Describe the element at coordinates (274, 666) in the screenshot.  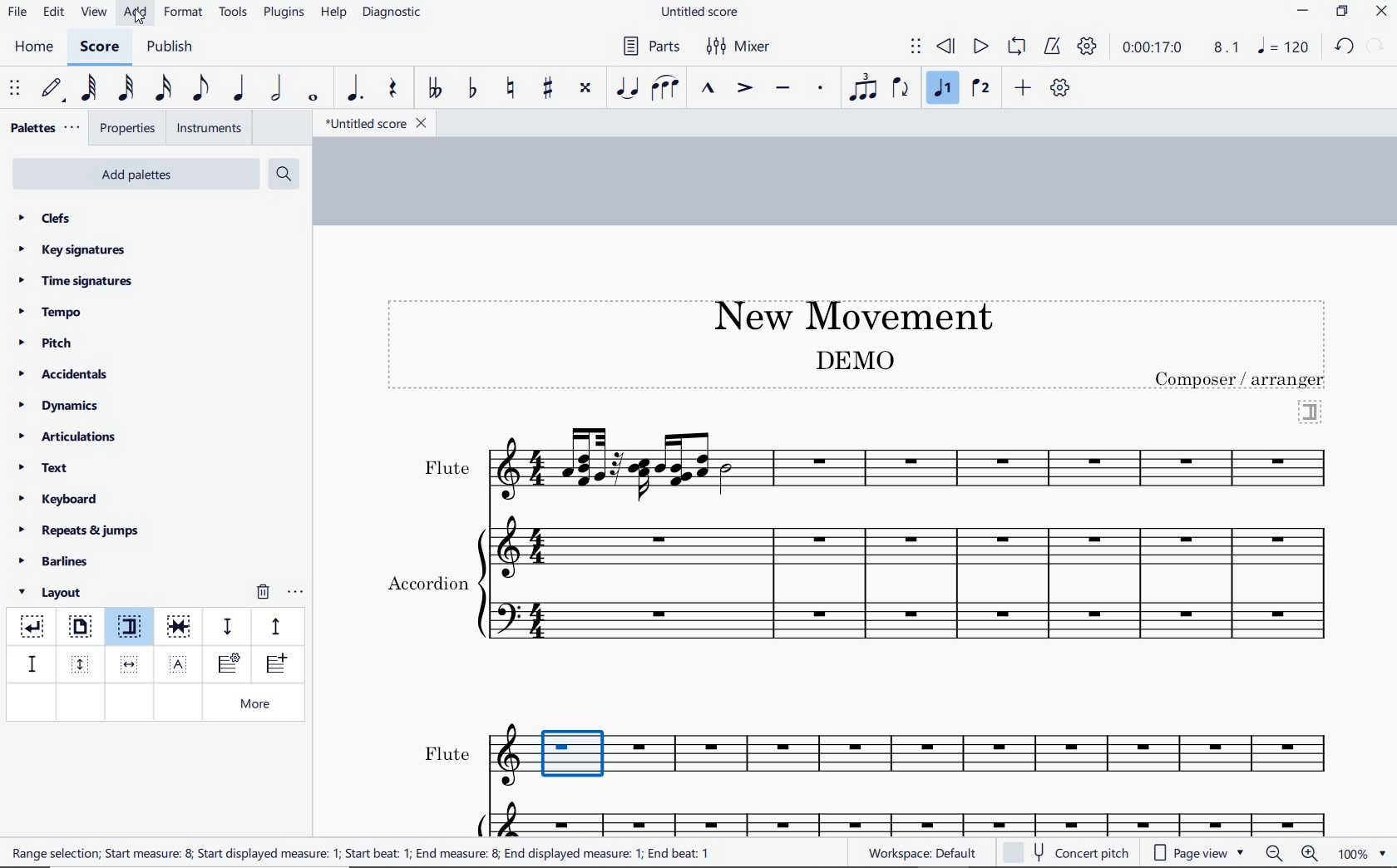
I see `insert one measure before selection` at that location.